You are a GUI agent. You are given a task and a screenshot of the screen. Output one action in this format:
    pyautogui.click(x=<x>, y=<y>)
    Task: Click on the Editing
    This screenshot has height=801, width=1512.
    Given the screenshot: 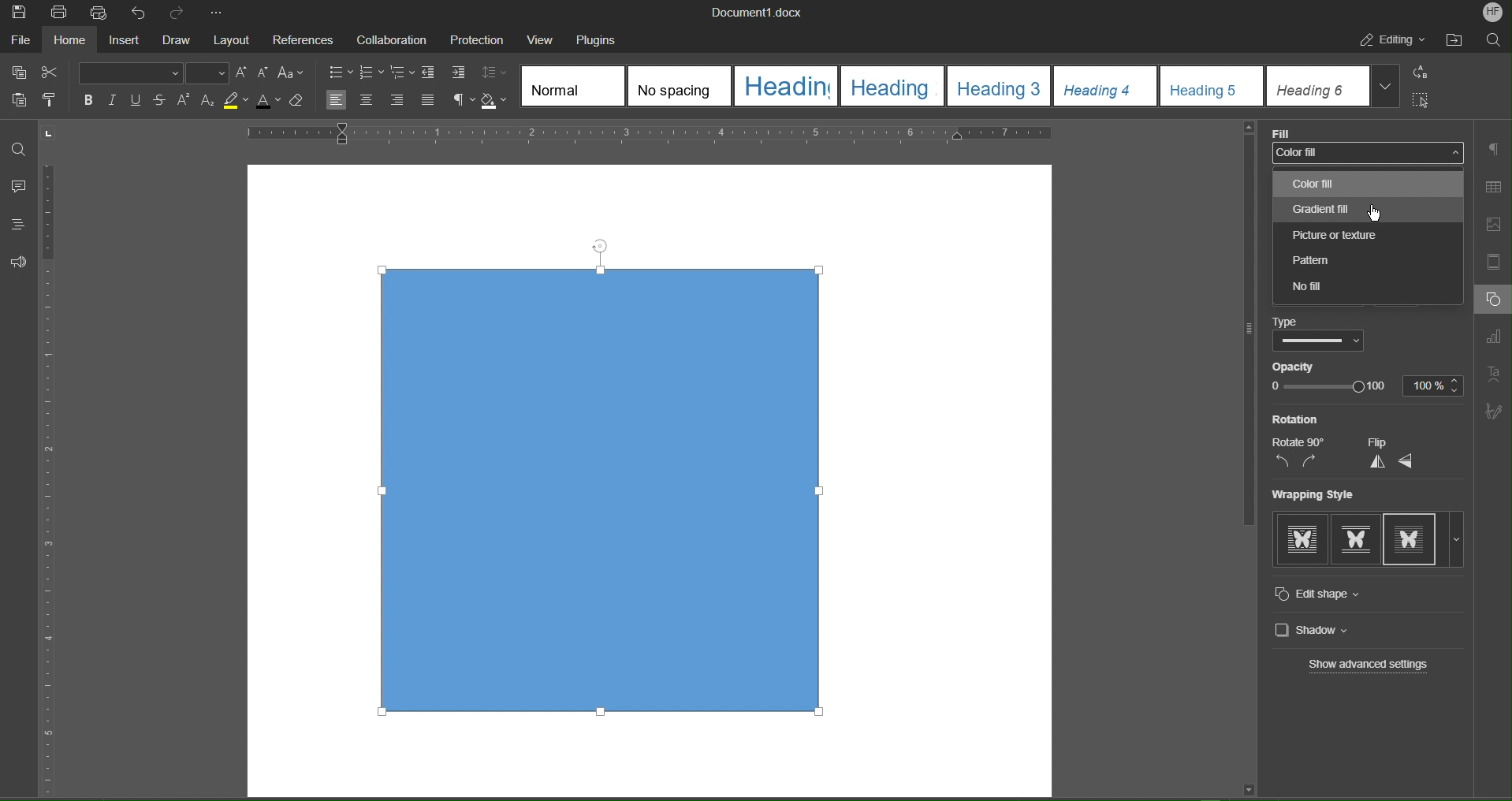 What is the action you would take?
    pyautogui.click(x=1391, y=42)
    